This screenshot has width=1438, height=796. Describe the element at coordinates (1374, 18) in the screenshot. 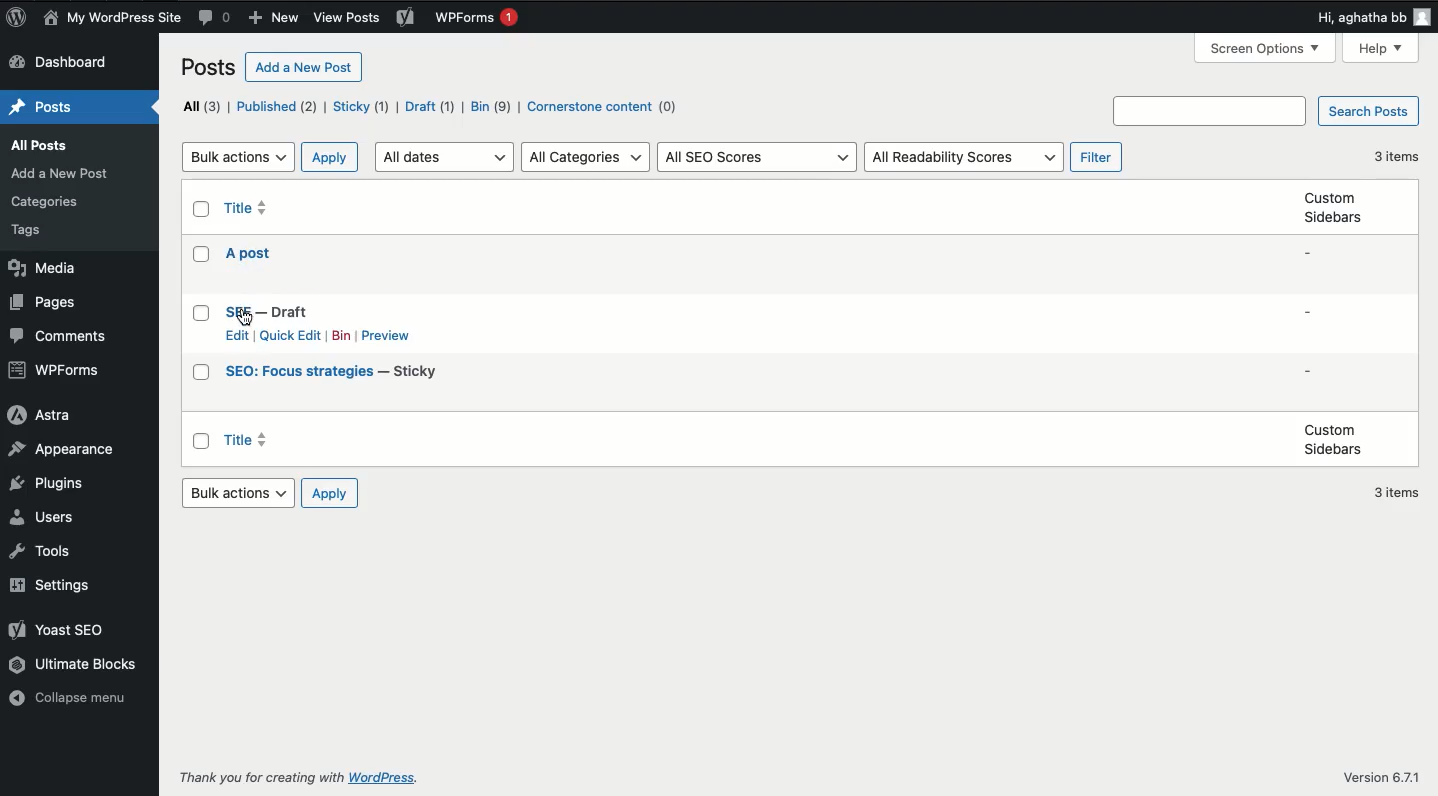

I see `Hi user` at that location.